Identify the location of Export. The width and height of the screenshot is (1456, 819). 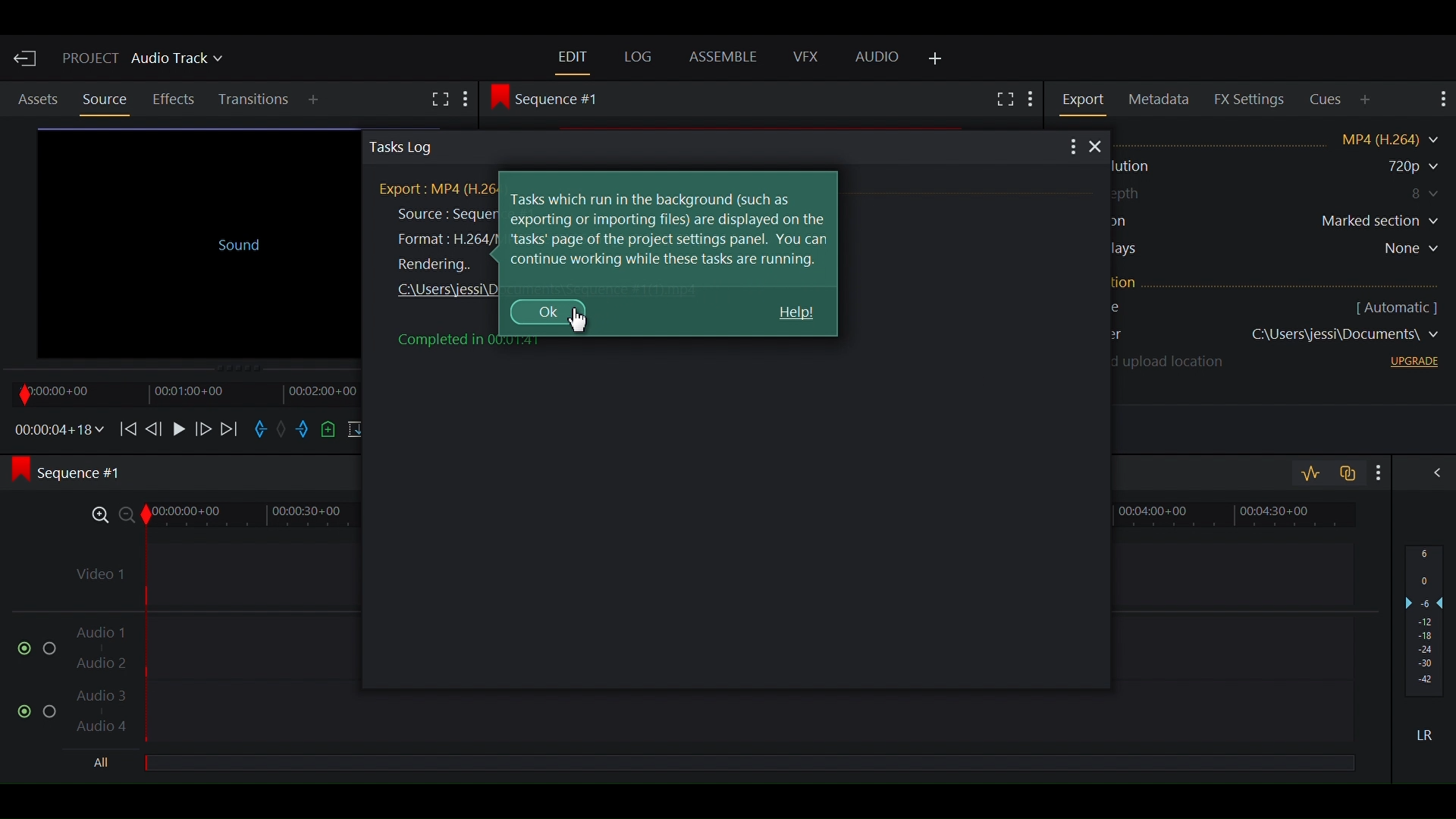
(1086, 99).